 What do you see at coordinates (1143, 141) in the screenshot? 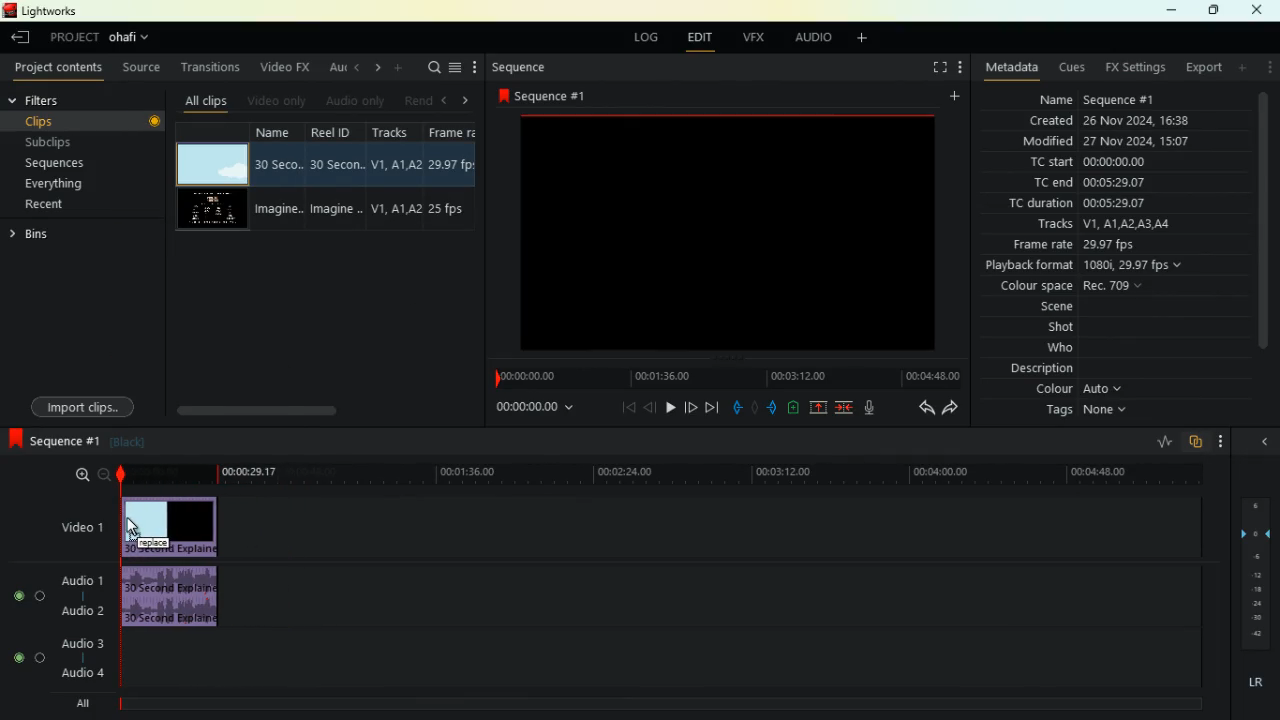
I see `27 Nov 2024, 15:07` at bounding box center [1143, 141].